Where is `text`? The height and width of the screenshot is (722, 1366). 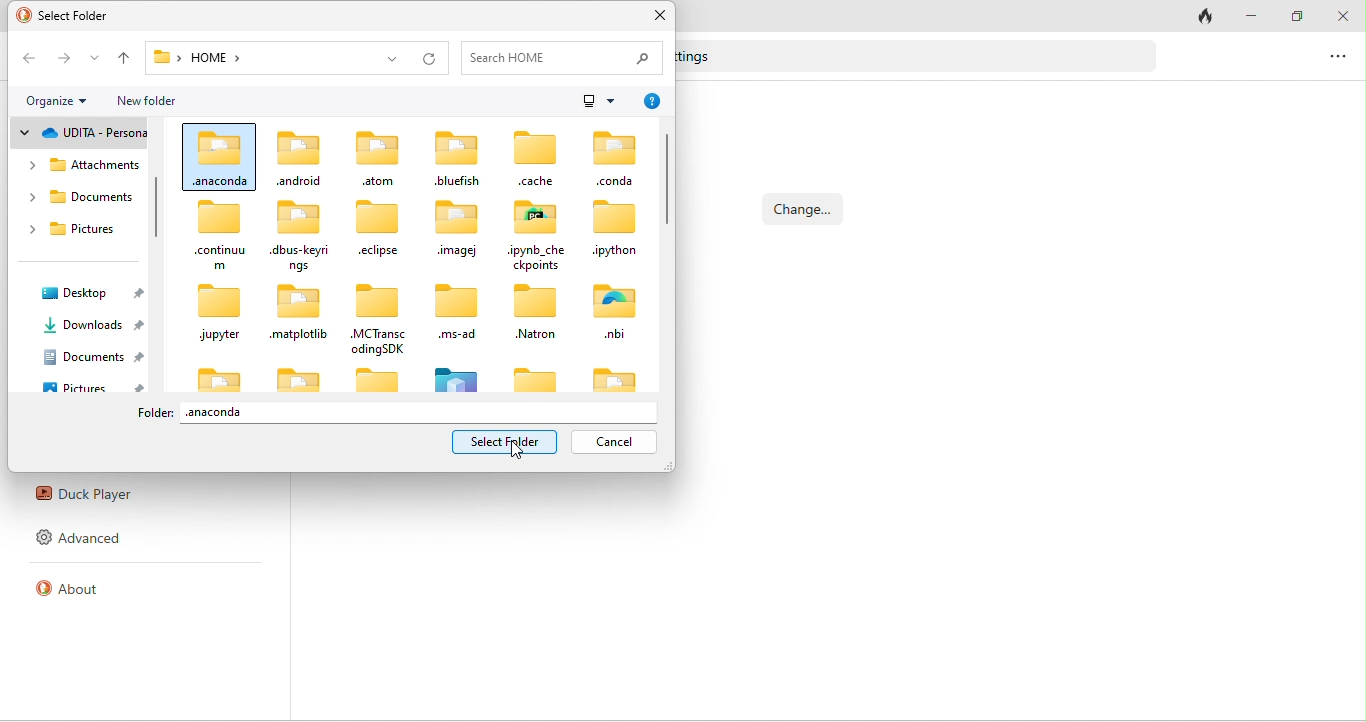
text is located at coordinates (699, 57).